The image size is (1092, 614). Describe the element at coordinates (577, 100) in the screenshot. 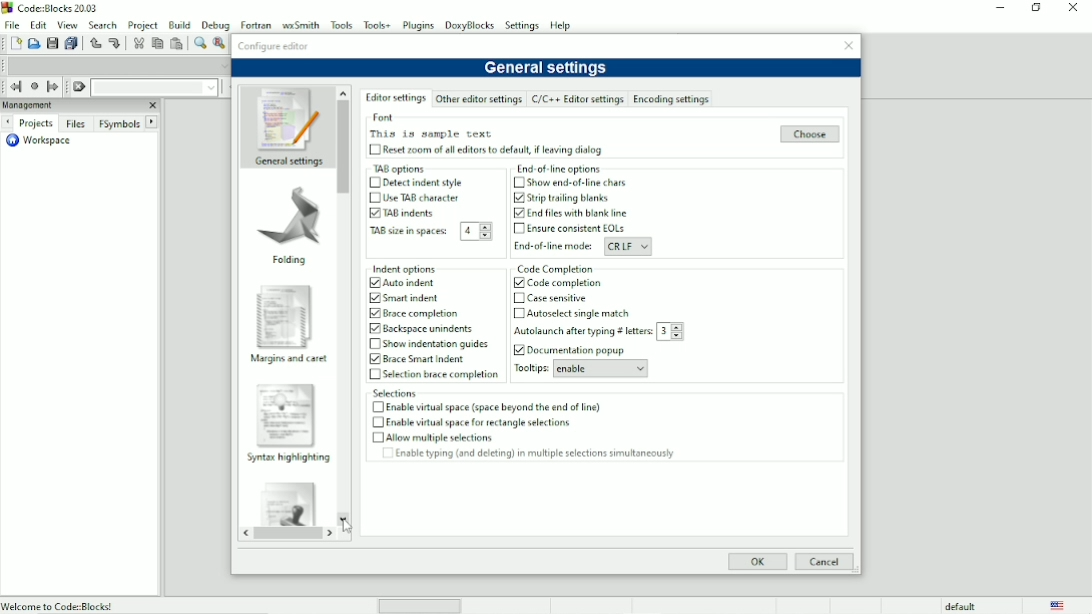

I see `C/C++ Editor Settings` at that location.